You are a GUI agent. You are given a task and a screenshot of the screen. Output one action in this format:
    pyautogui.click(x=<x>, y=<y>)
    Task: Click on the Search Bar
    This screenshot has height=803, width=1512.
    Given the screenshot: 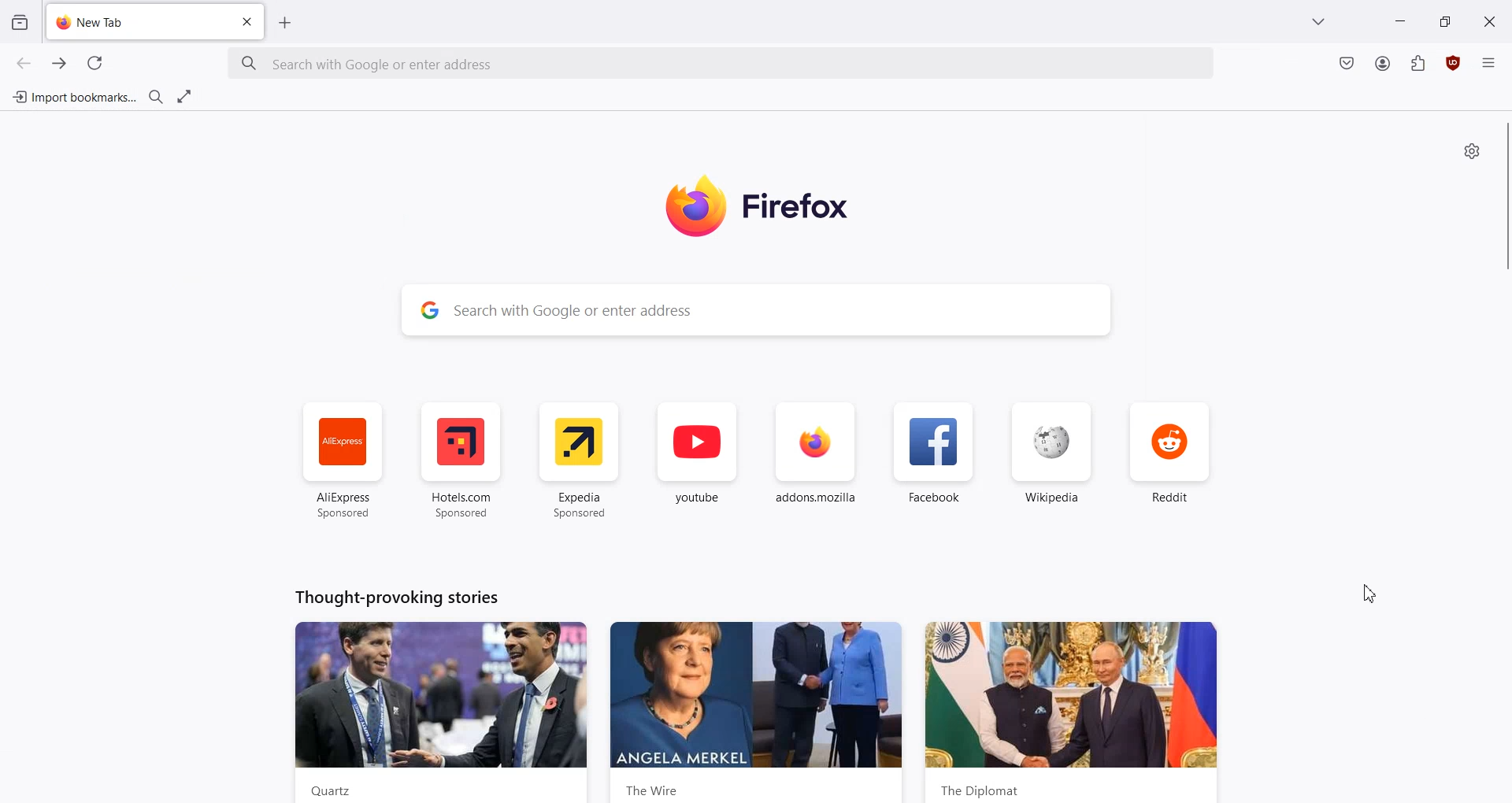 What is the action you would take?
    pyautogui.click(x=722, y=64)
    